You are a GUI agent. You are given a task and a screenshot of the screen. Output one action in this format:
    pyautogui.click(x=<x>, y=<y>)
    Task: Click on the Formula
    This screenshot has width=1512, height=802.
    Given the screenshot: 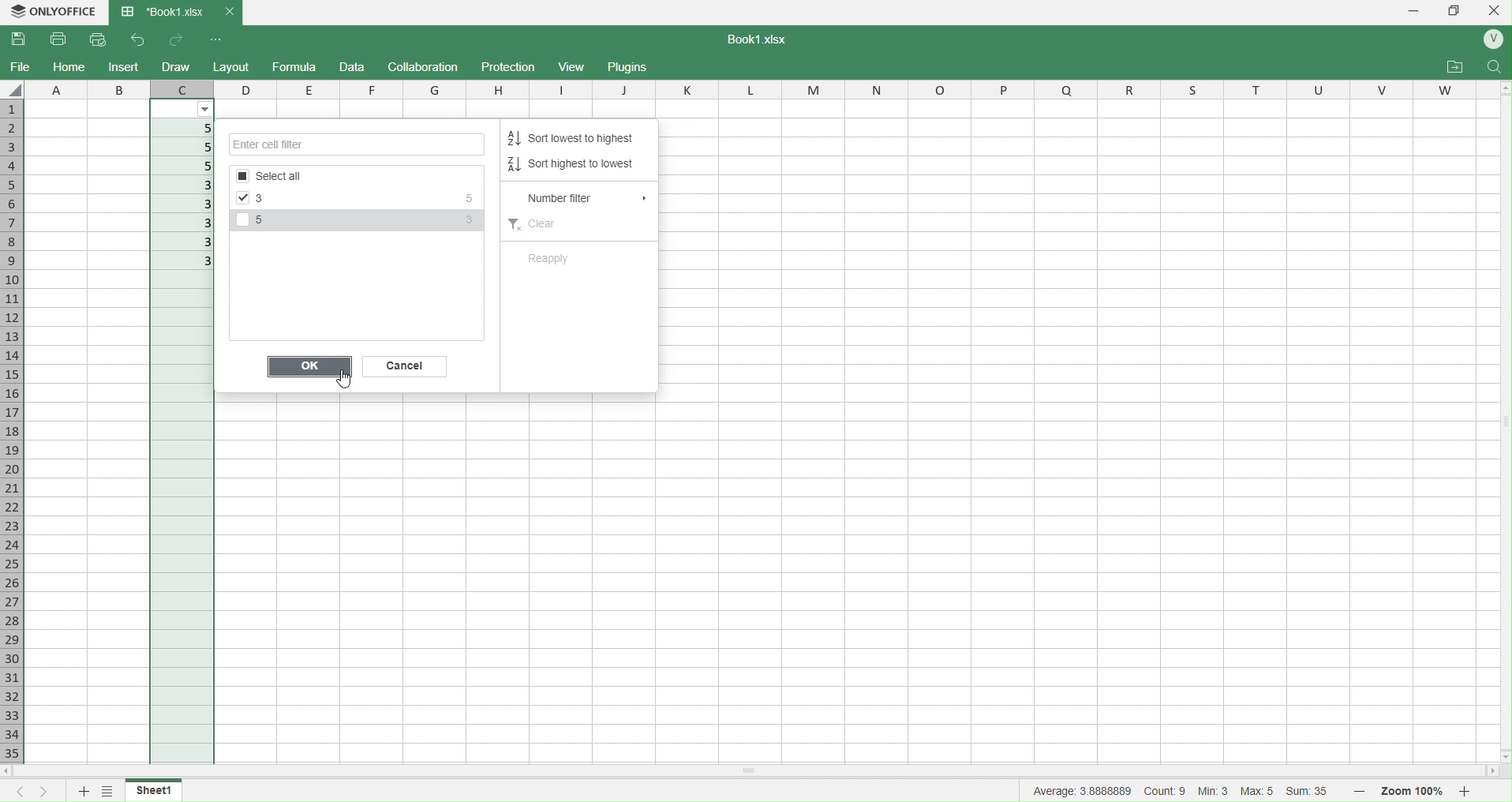 What is the action you would take?
    pyautogui.click(x=294, y=66)
    